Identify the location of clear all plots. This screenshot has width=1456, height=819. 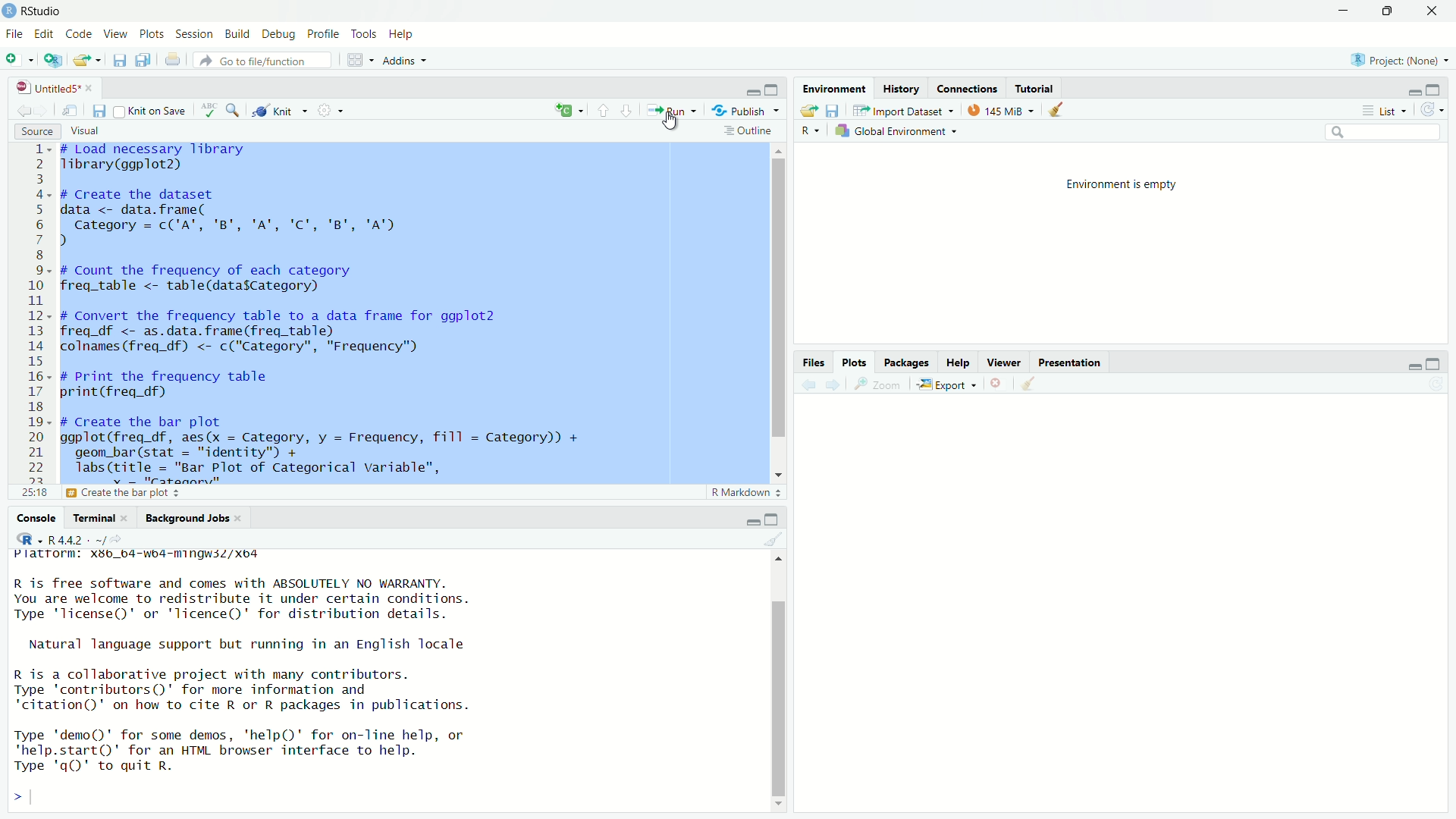
(1030, 384).